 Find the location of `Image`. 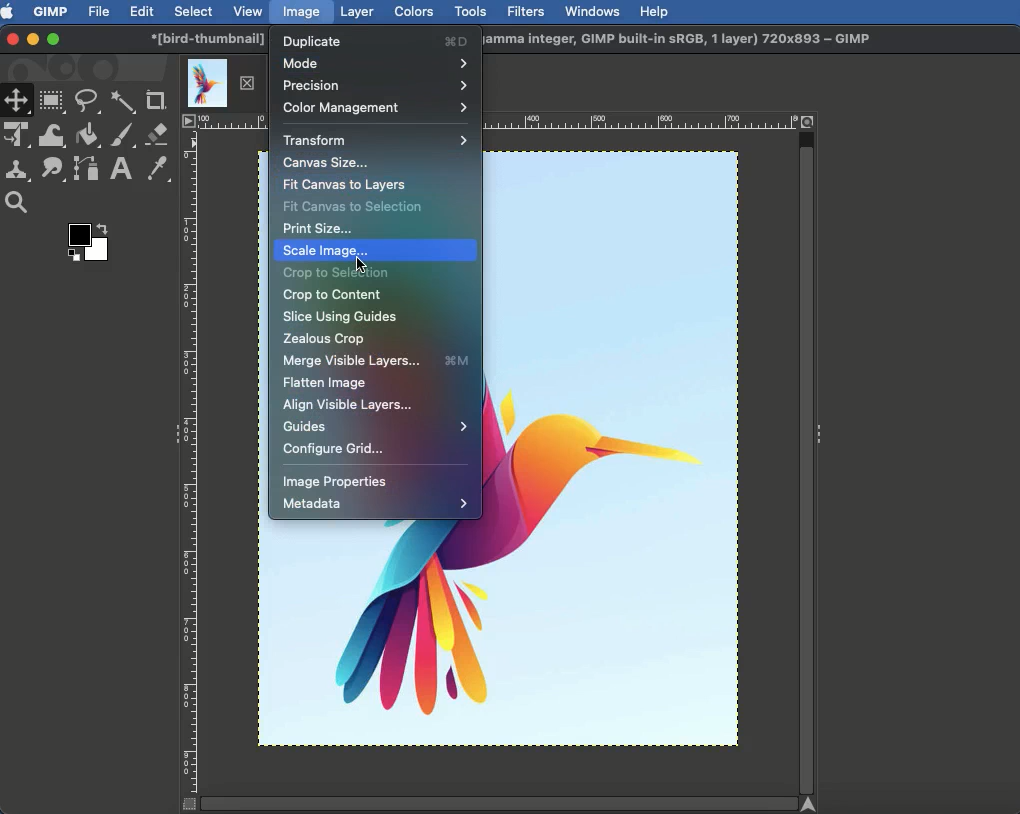

Image is located at coordinates (301, 13).